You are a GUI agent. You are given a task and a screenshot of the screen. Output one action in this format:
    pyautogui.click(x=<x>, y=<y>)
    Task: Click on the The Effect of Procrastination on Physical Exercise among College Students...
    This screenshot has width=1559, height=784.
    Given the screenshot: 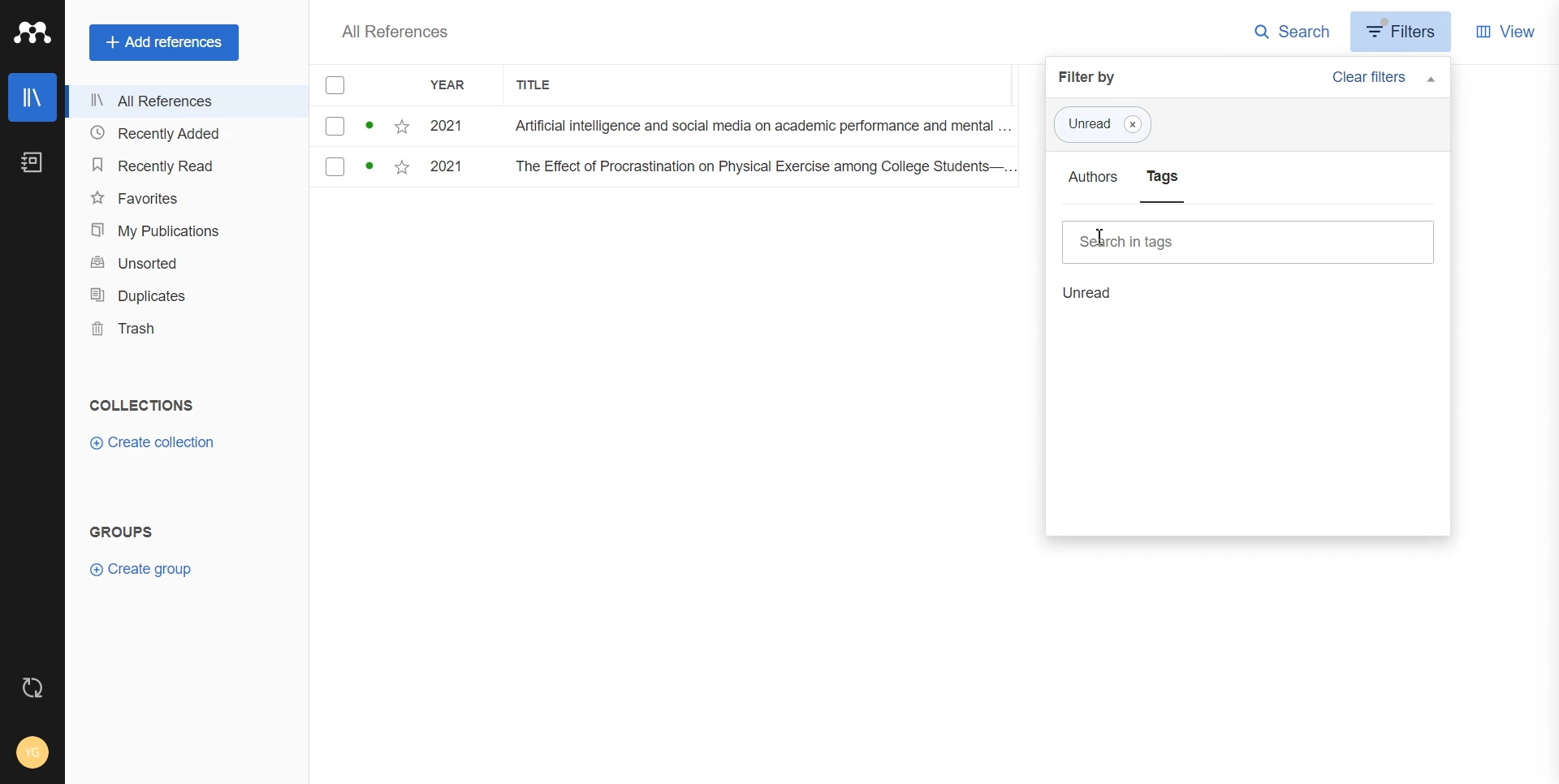 What is the action you would take?
    pyautogui.click(x=758, y=127)
    